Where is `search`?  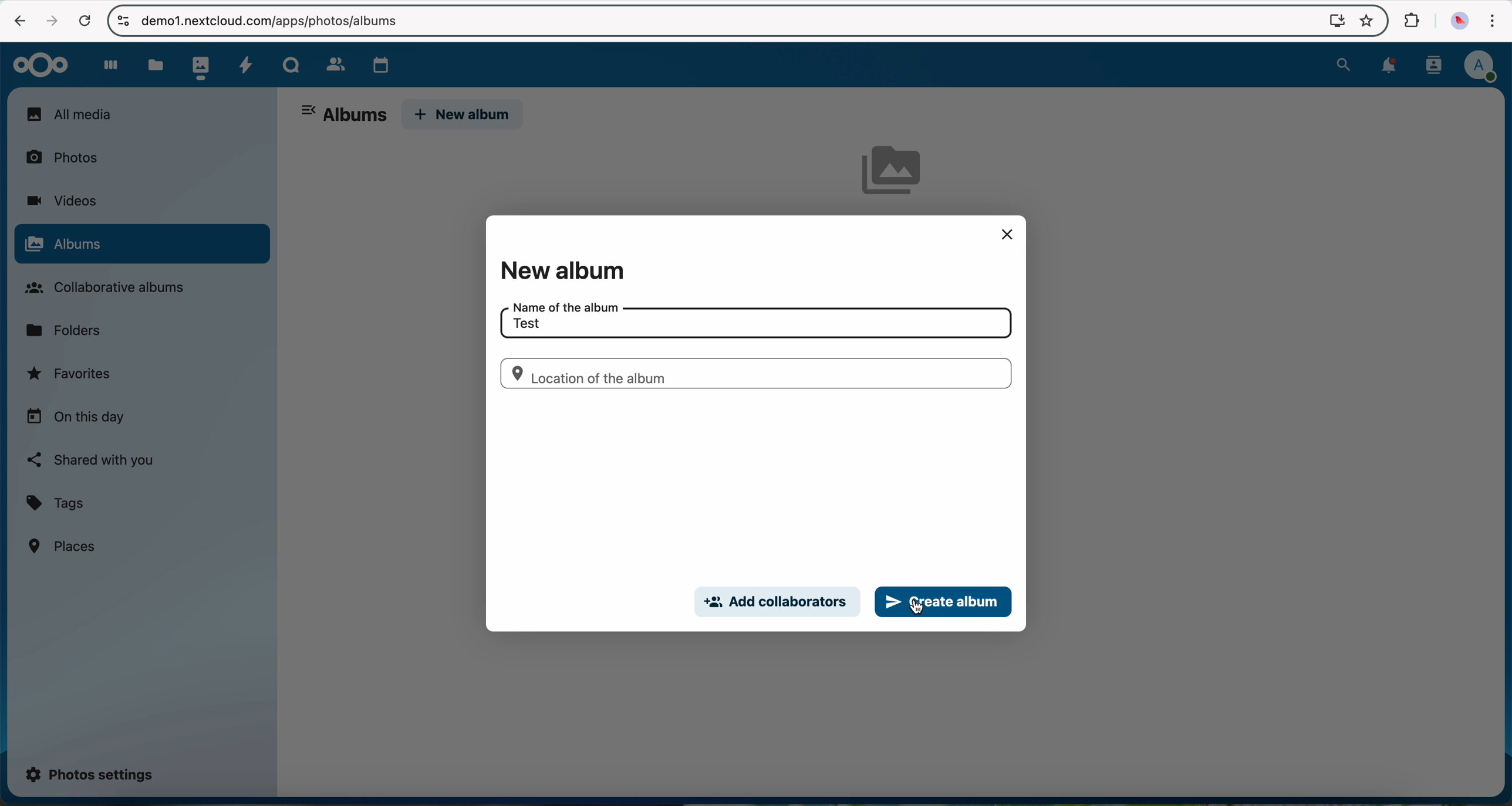 search is located at coordinates (1343, 63).